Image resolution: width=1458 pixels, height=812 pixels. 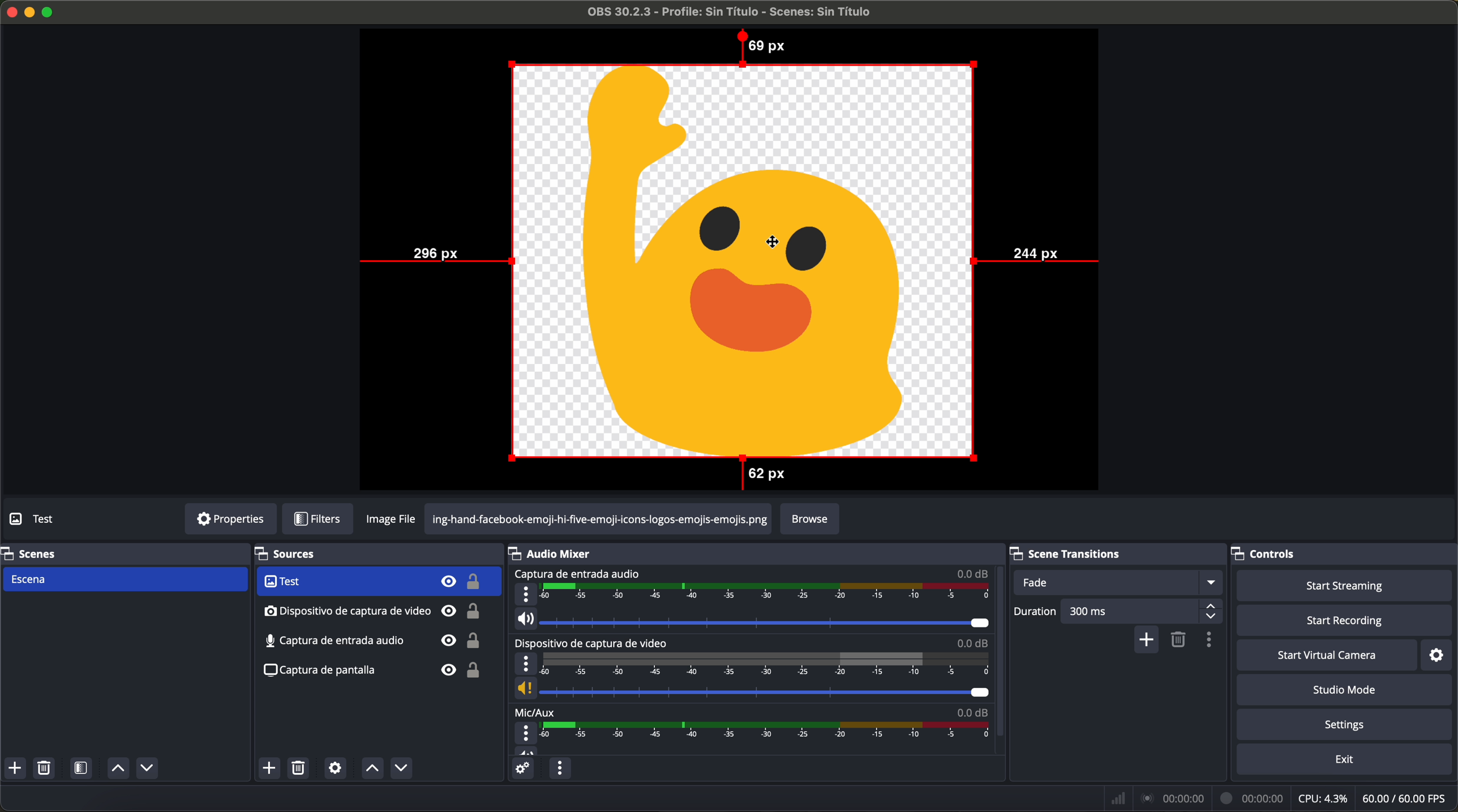 I want to click on open scene filters, so click(x=83, y=769).